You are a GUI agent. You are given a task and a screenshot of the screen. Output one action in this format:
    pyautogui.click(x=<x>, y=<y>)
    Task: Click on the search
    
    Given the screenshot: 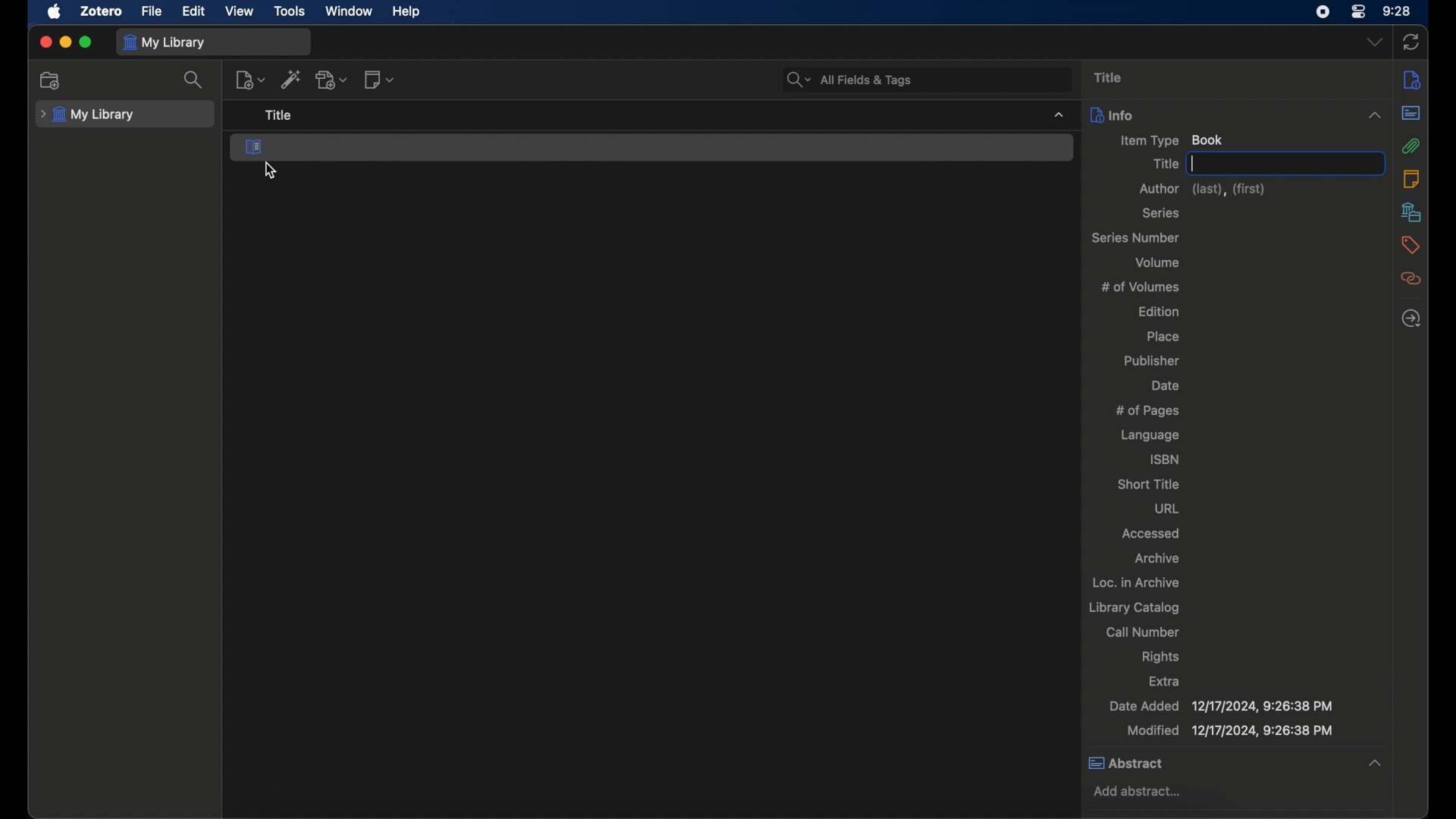 What is the action you would take?
    pyautogui.click(x=196, y=79)
    